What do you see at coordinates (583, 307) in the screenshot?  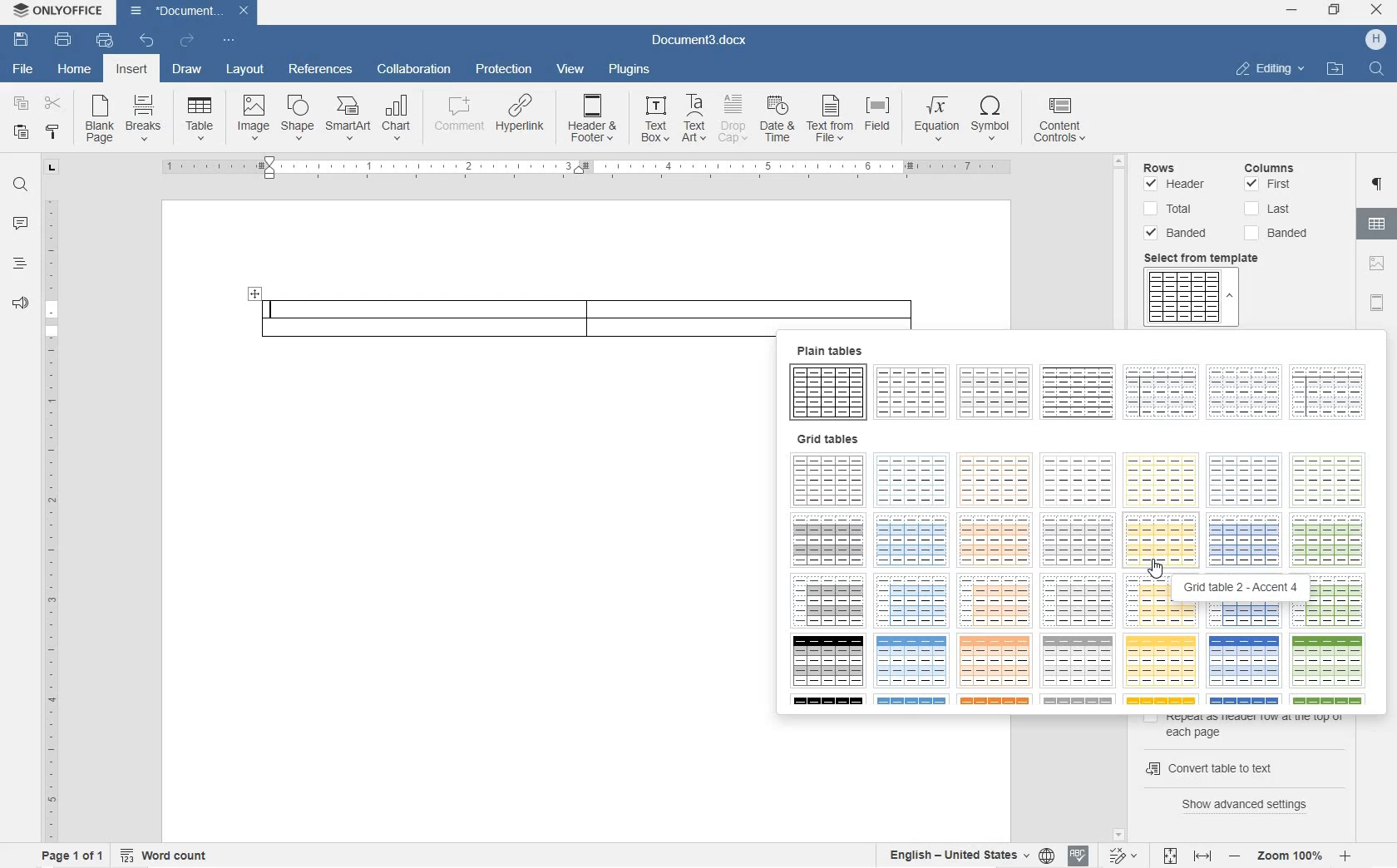 I see `inserted table` at bounding box center [583, 307].